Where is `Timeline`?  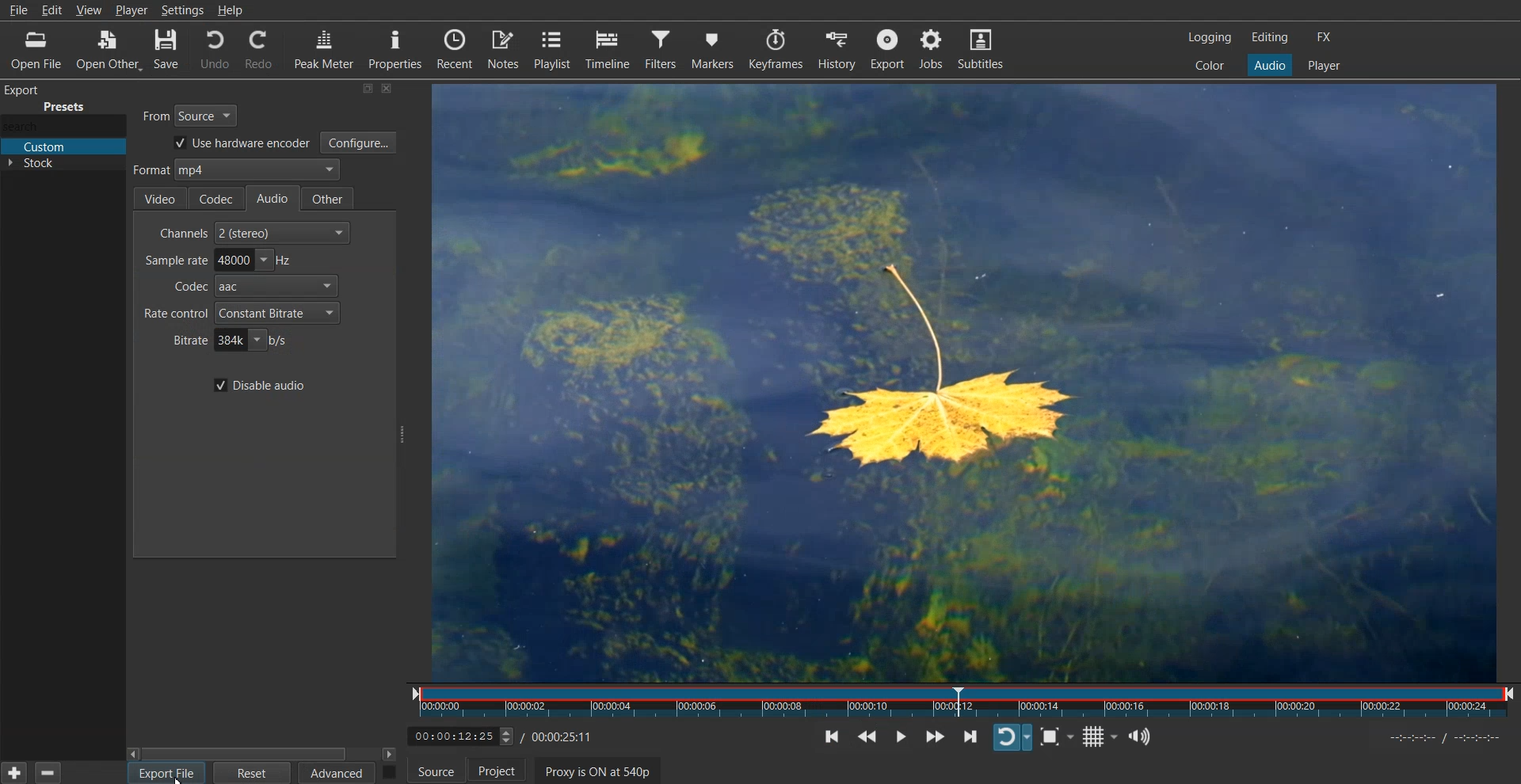 Timeline is located at coordinates (608, 48).